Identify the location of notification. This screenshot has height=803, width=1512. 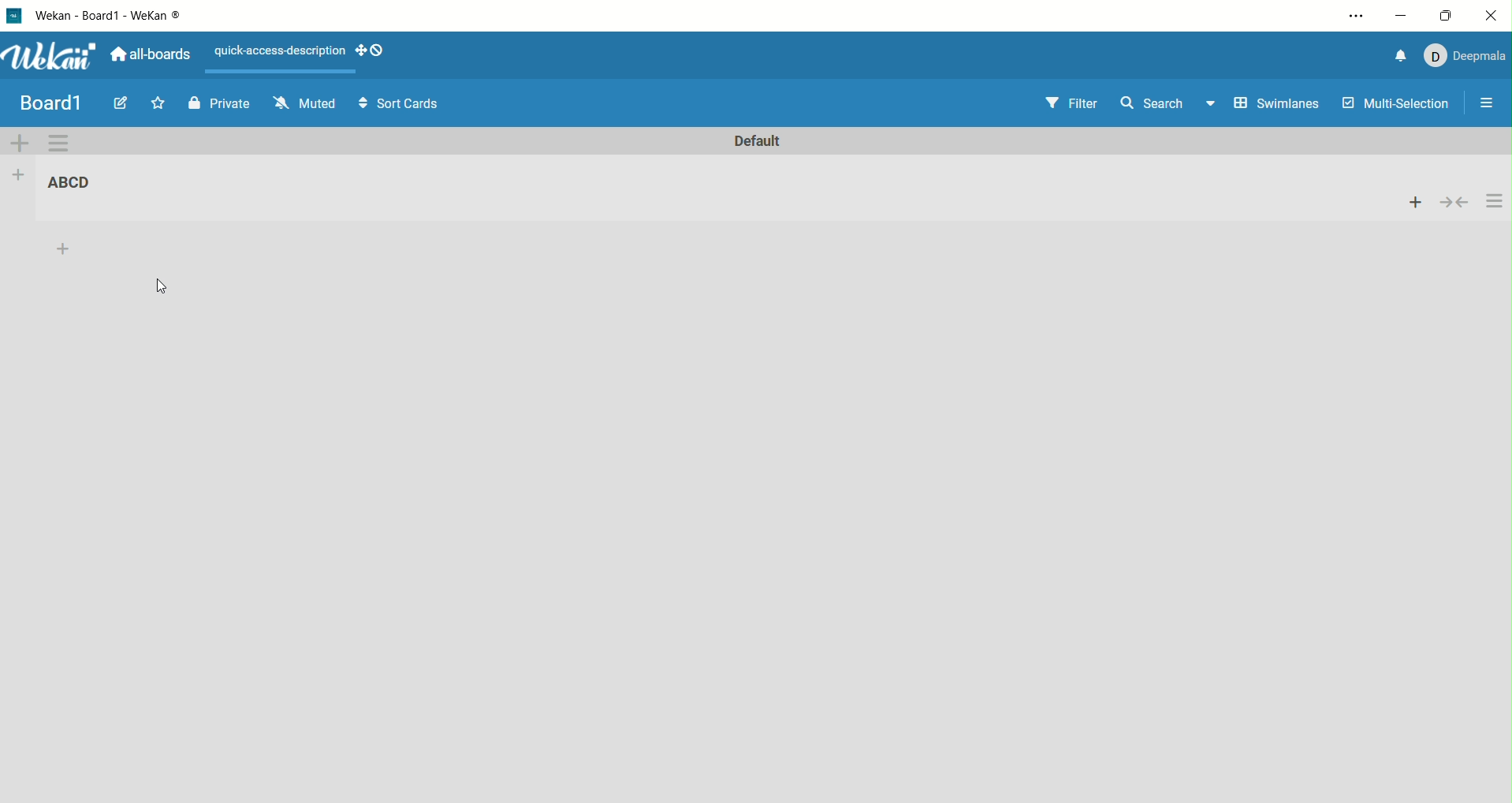
(1402, 56).